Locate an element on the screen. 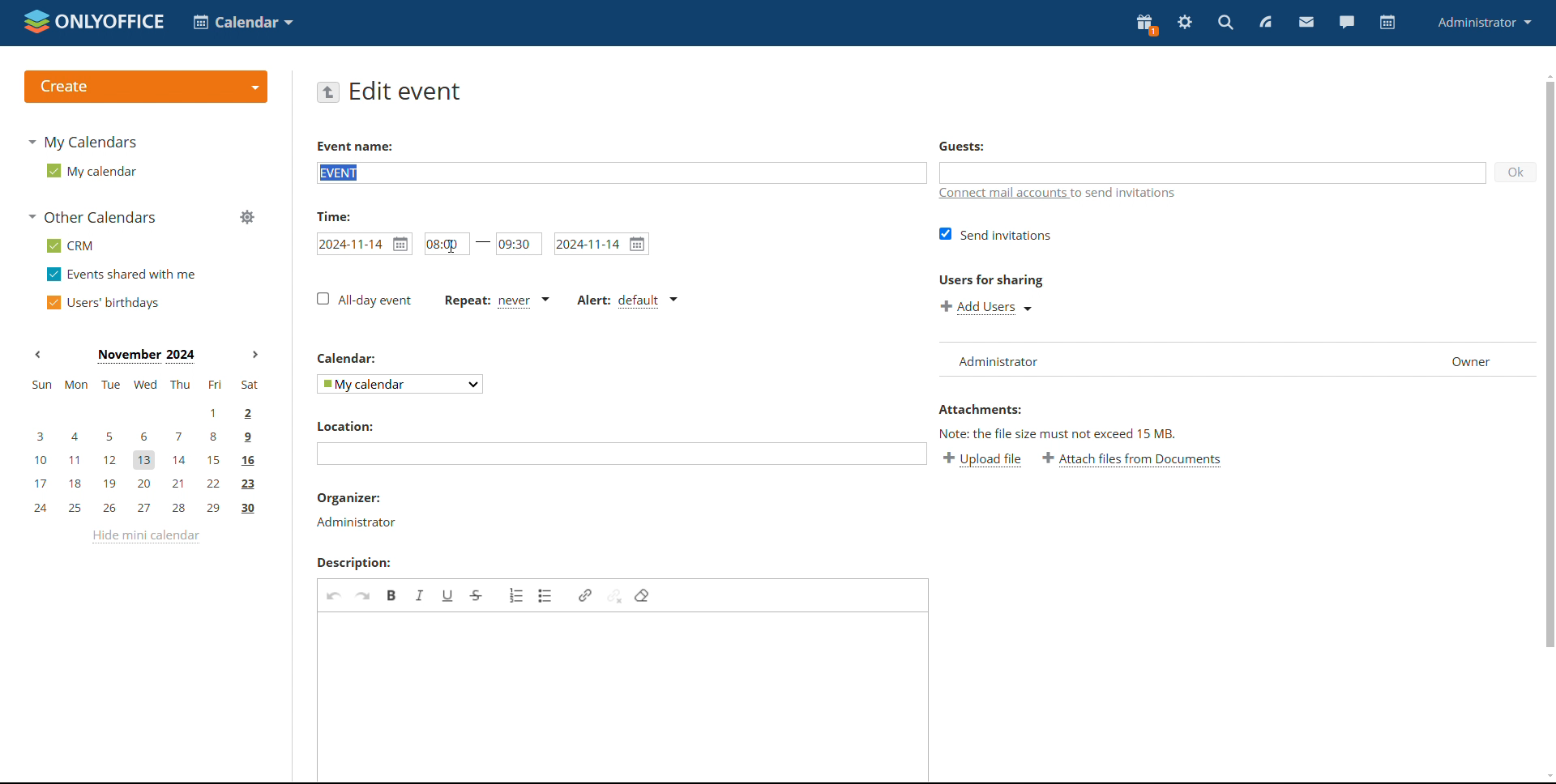  24, 25, 26, 27, 28, 29, 30 is located at coordinates (145, 509).